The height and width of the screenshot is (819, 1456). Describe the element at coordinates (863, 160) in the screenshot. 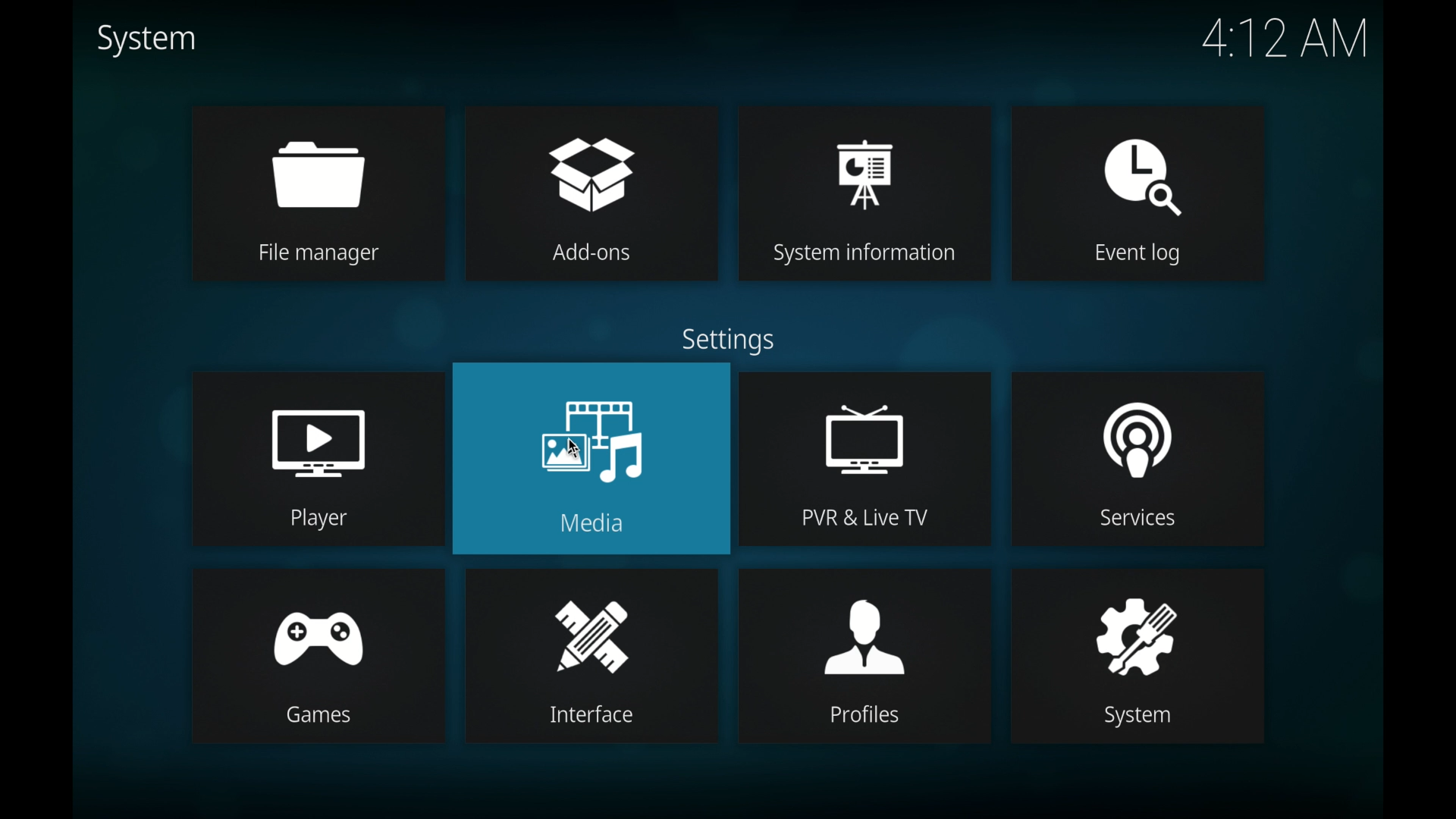

I see `system information` at that location.